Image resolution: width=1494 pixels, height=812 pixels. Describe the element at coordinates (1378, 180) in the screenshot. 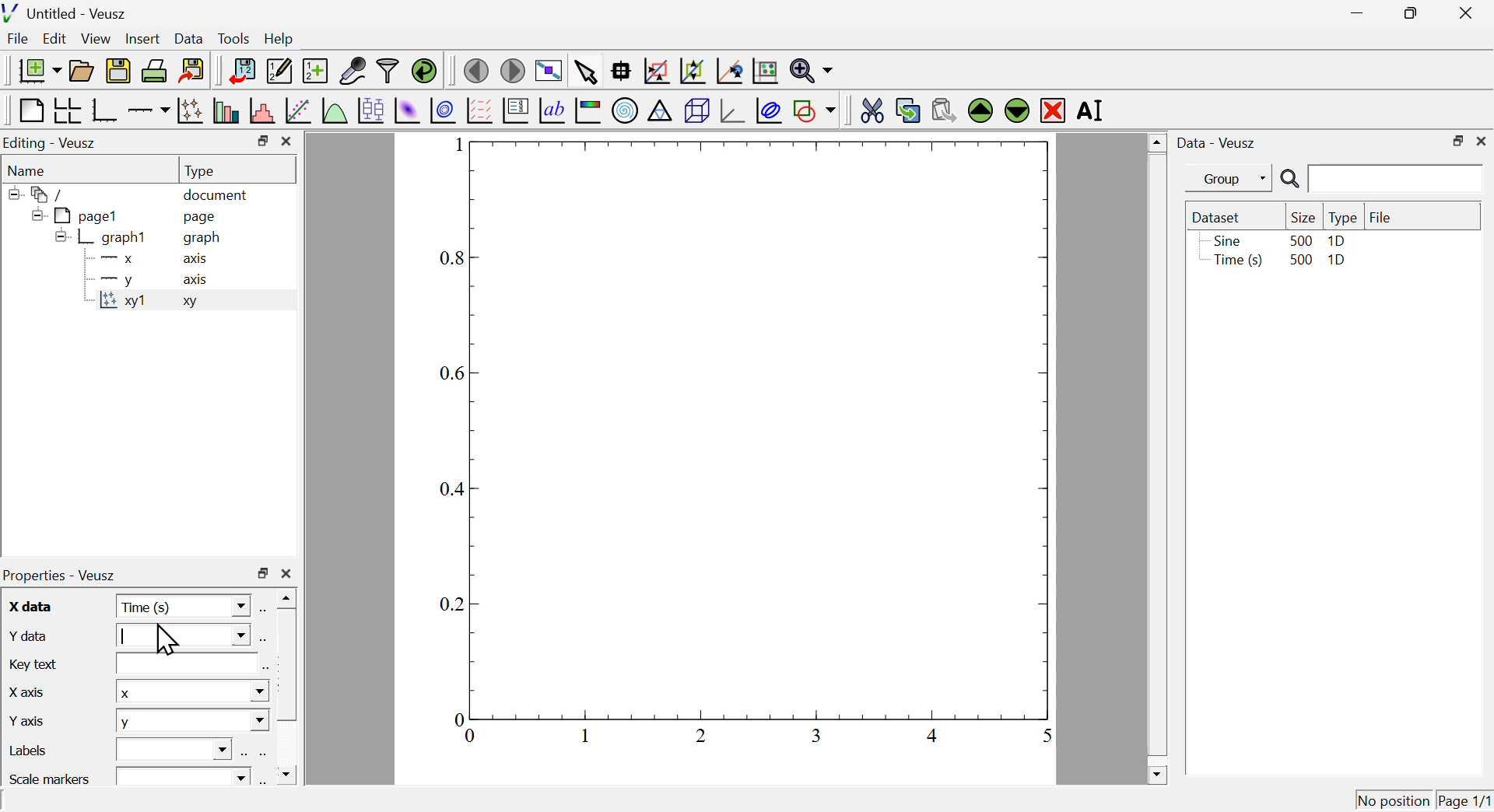

I see `search` at that location.